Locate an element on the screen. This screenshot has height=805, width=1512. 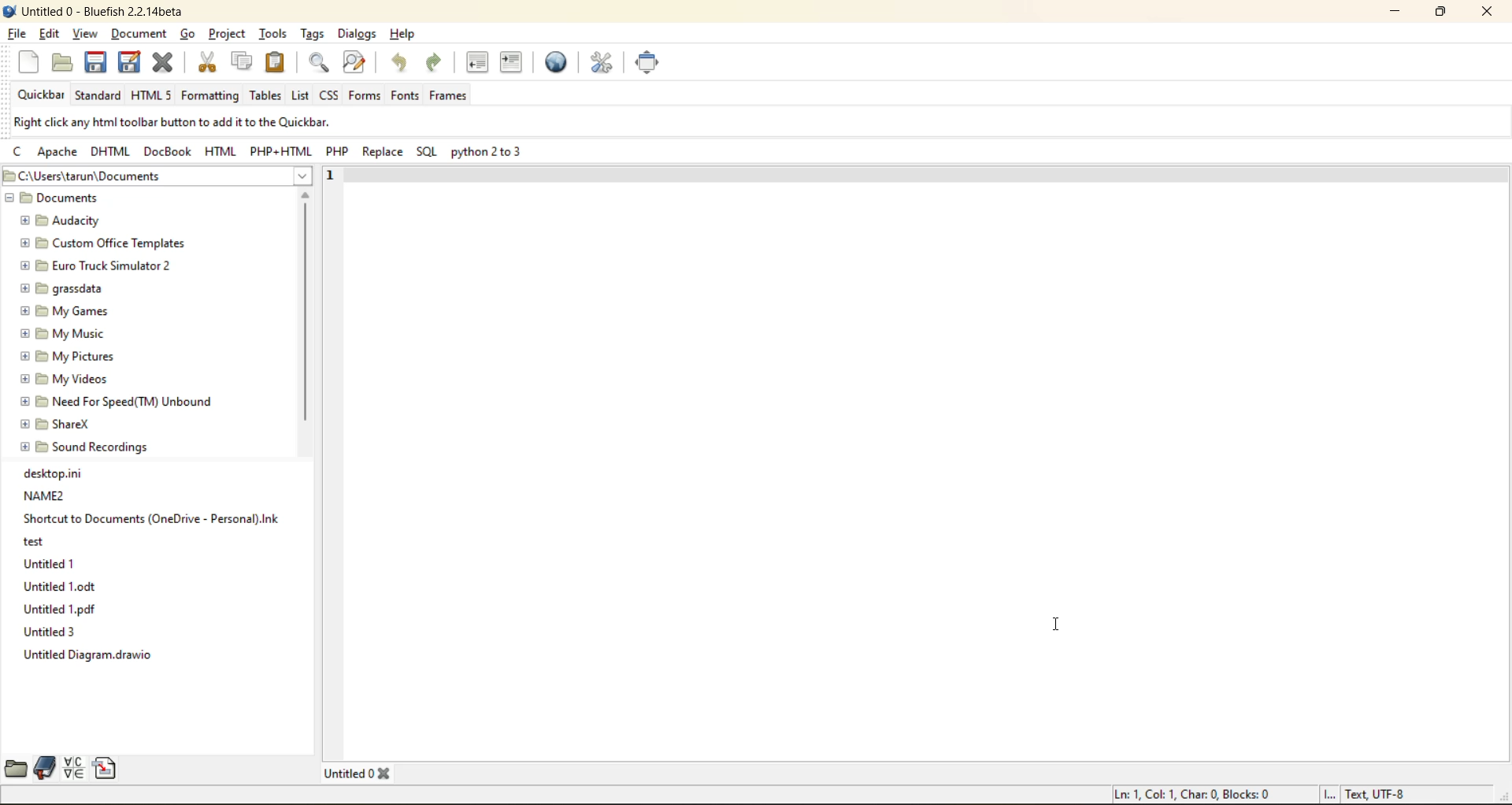
project is located at coordinates (228, 33).